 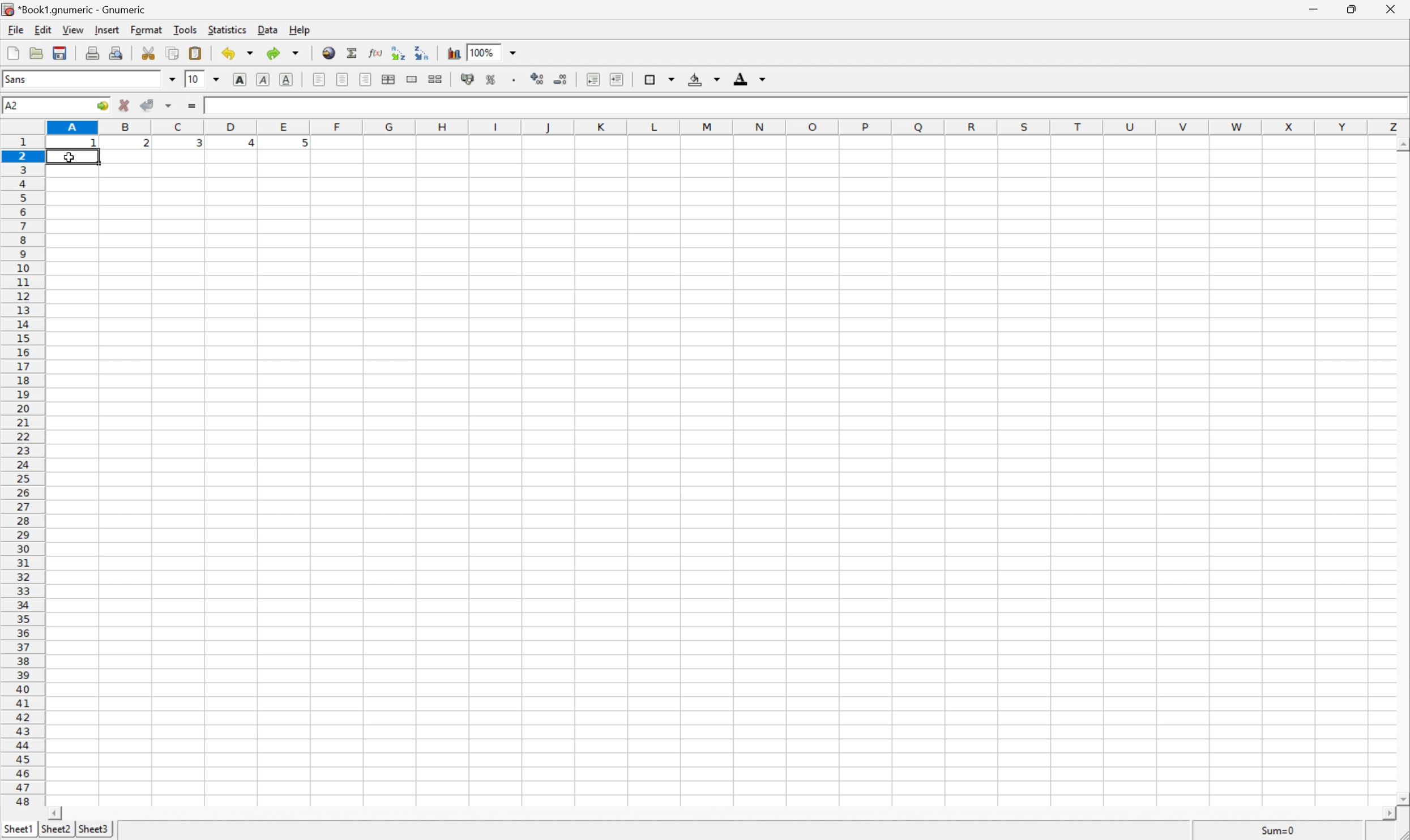 I want to click on background, so click(x=705, y=79).